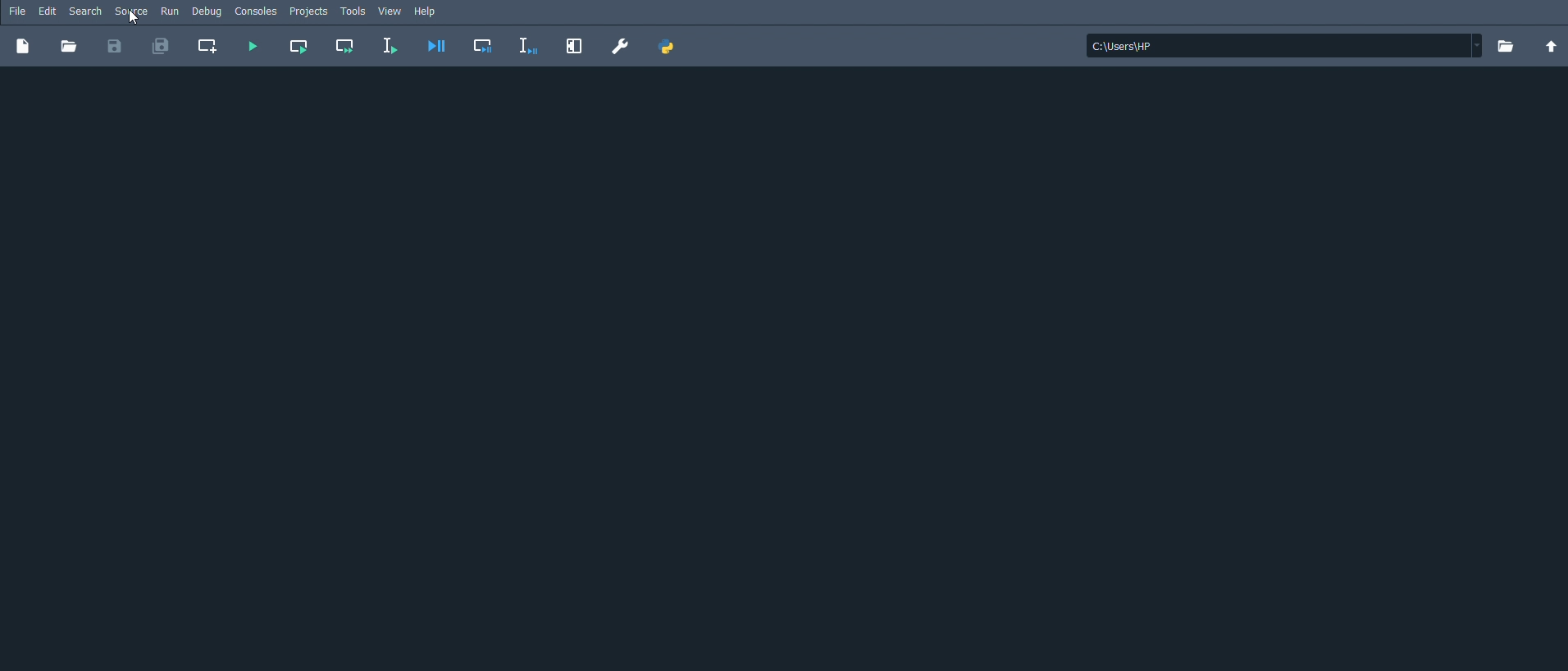 The height and width of the screenshot is (671, 1568). Describe the element at coordinates (390, 48) in the screenshot. I see `Run selection or current line` at that location.